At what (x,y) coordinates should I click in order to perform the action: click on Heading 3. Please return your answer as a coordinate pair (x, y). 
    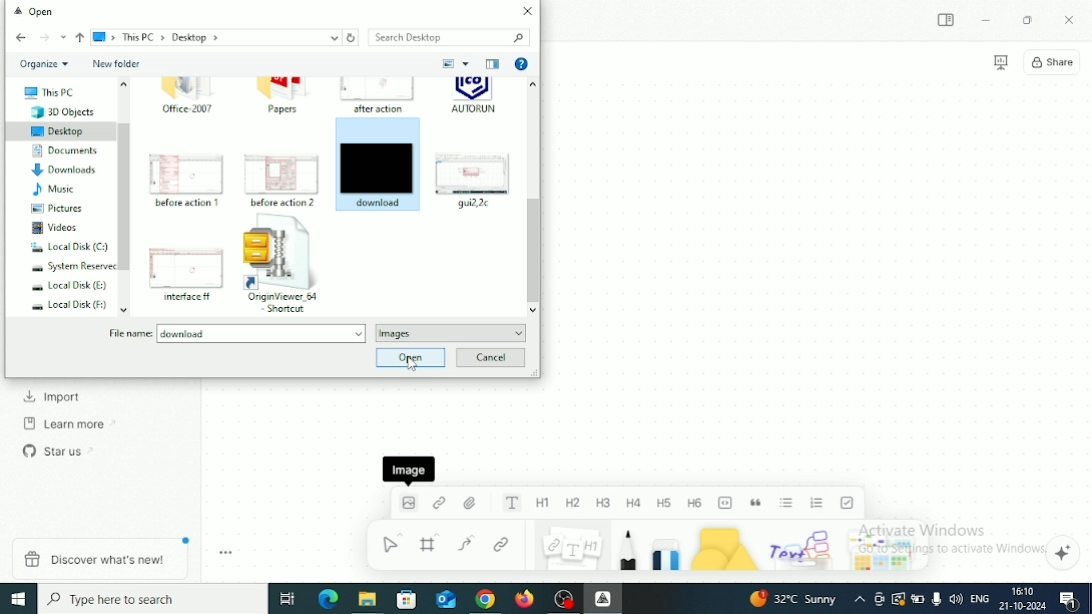
    Looking at the image, I should click on (604, 503).